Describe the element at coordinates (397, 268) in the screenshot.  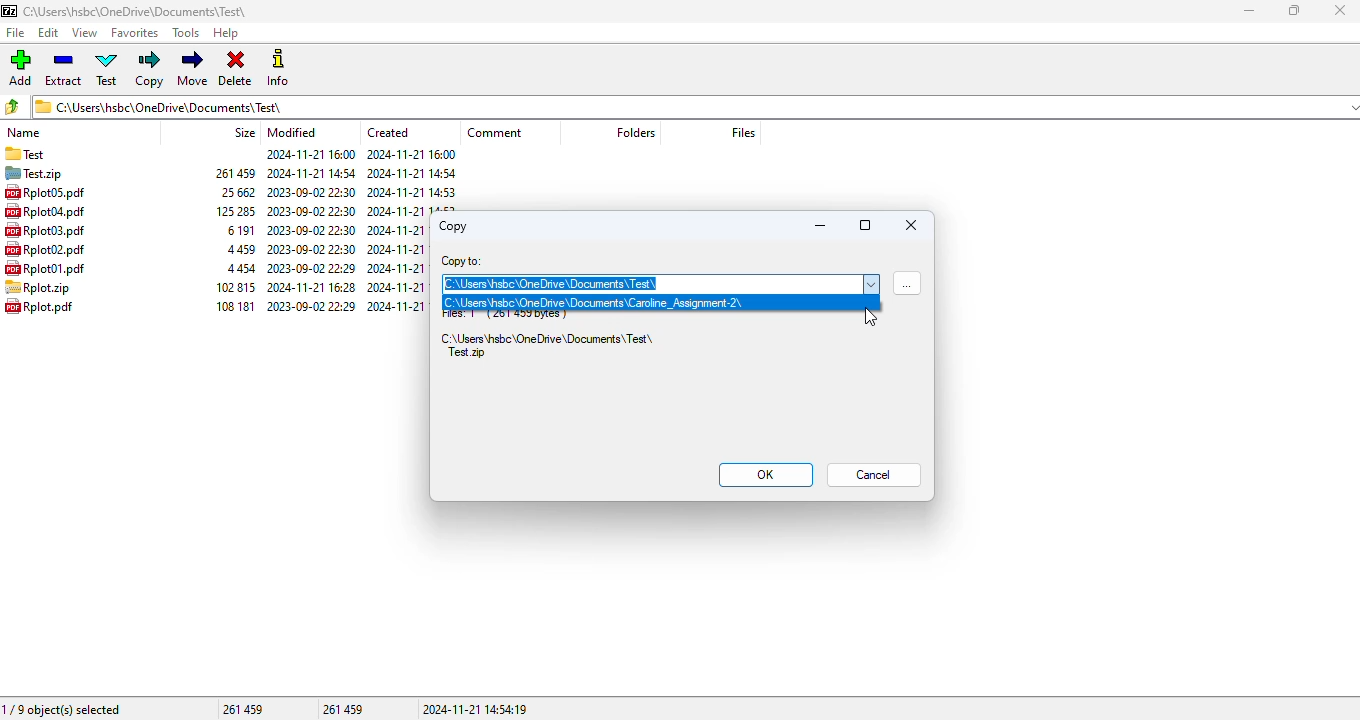
I see `created date & time` at that location.